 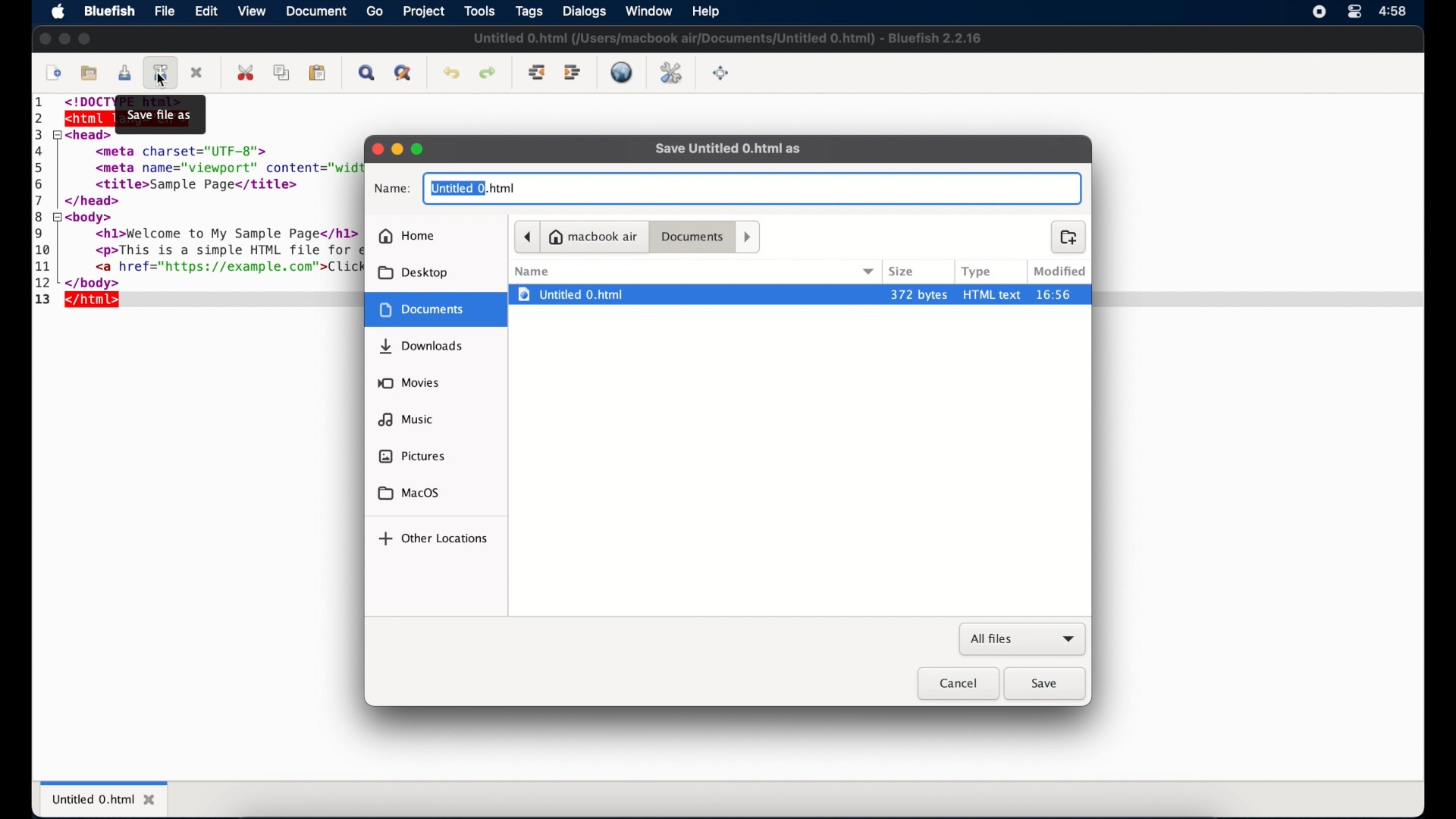 I want to click on undo, so click(x=451, y=74).